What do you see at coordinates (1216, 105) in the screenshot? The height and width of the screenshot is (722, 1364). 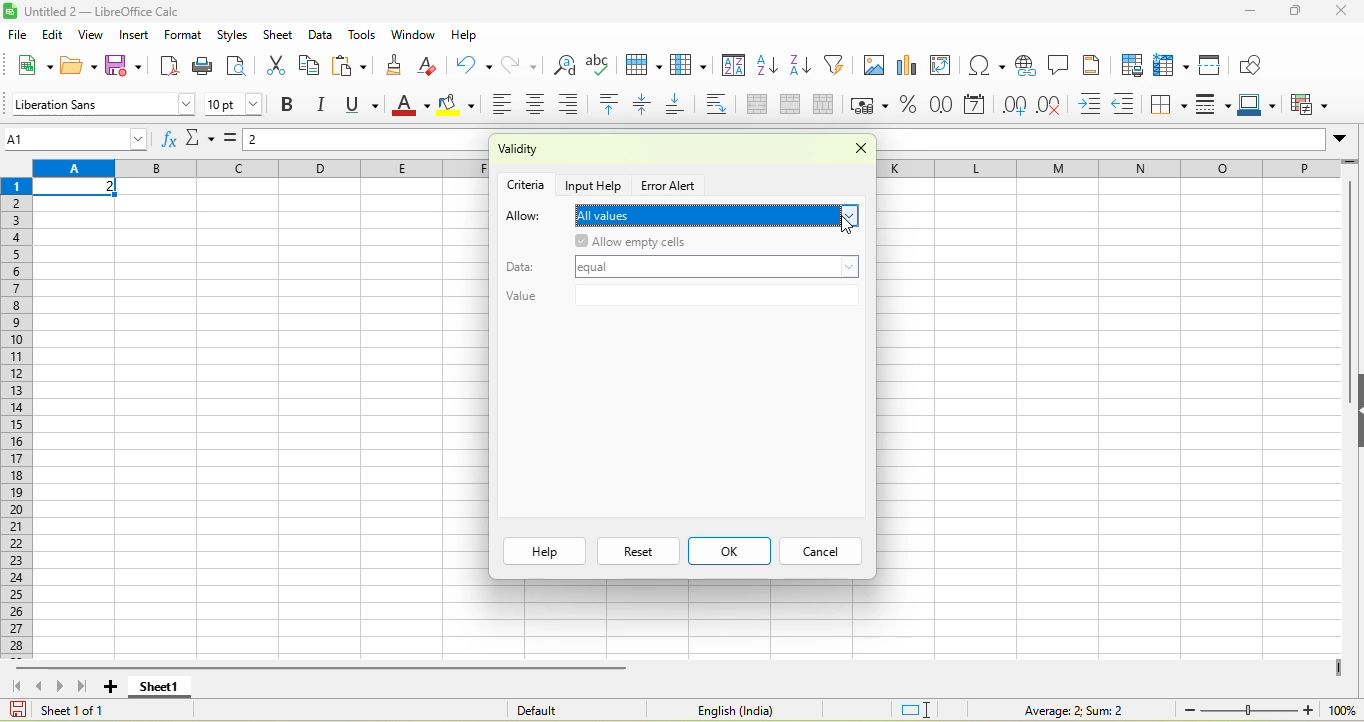 I see `border style` at bounding box center [1216, 105].